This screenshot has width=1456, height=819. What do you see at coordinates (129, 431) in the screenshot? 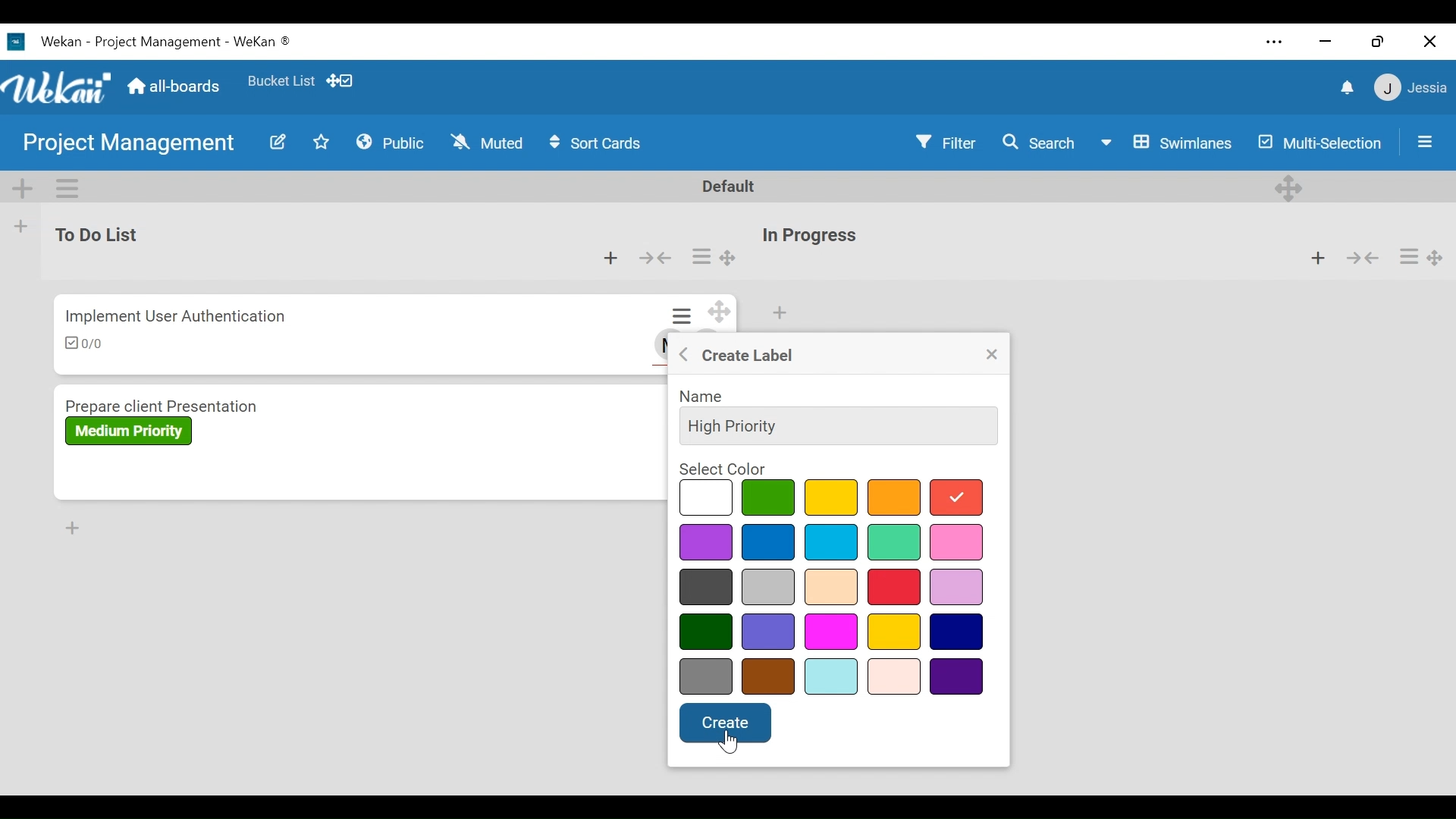
I see `Label` at bounding box center [129, 431].